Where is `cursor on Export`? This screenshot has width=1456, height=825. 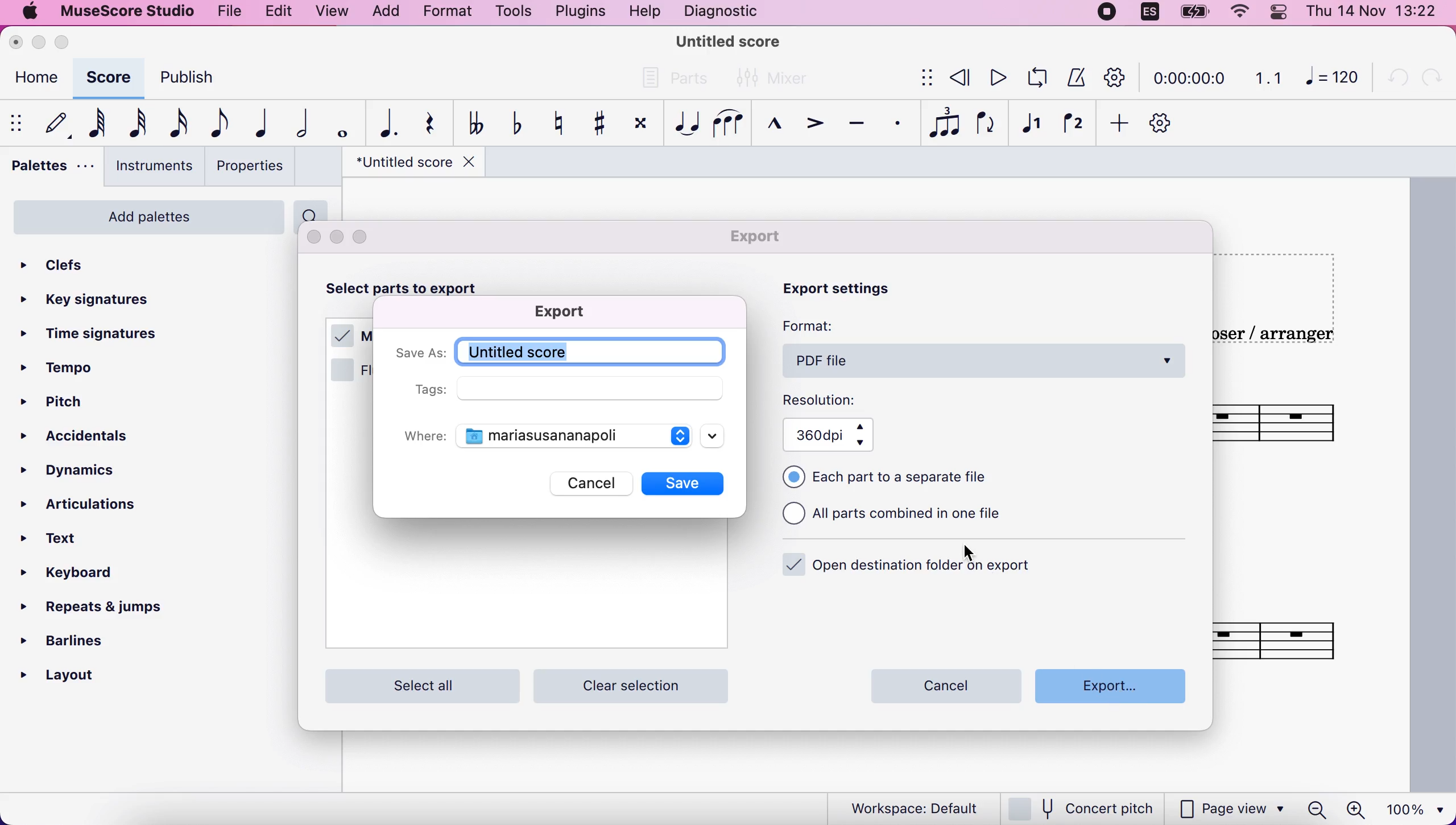 cursor on Export is located at coordinates (973, 555).